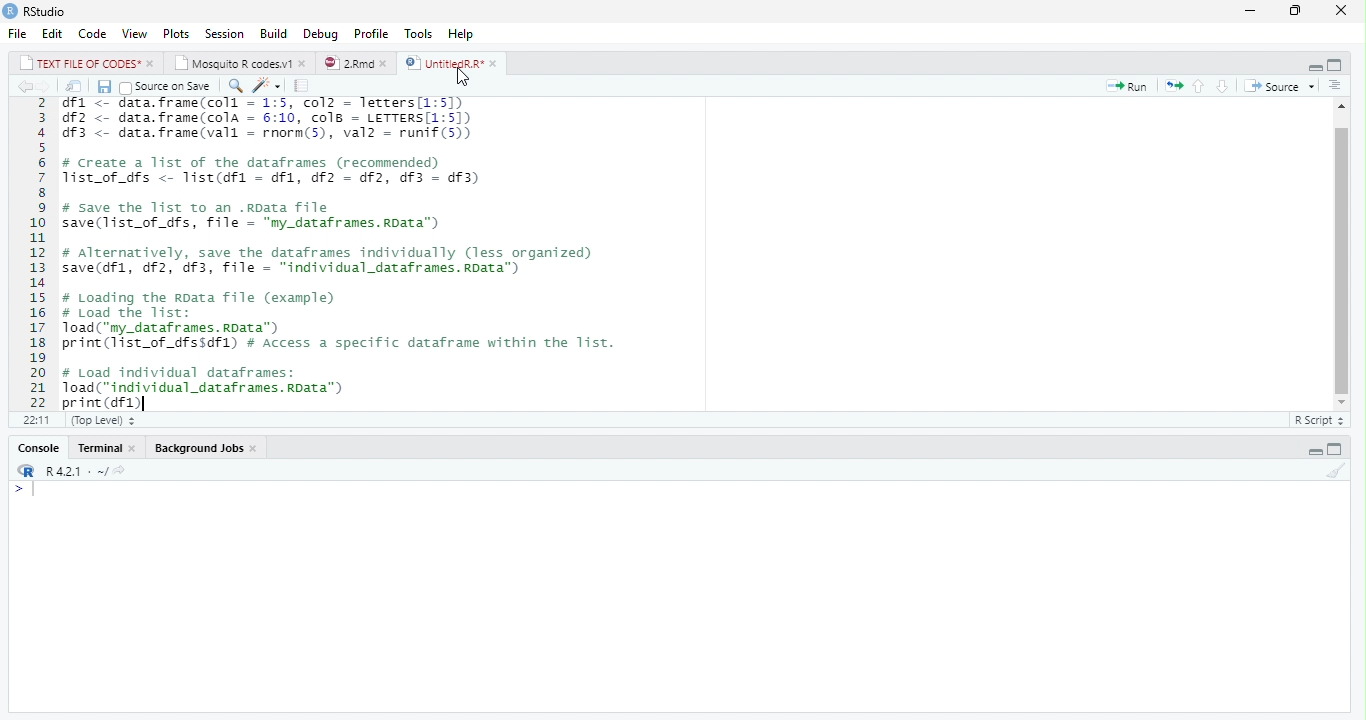 The width and height of the screenshot is (1366, 720). What do you see at coordinates (275, 32) in the screenshot?
I see `Build` at bounding box center [275, 32].